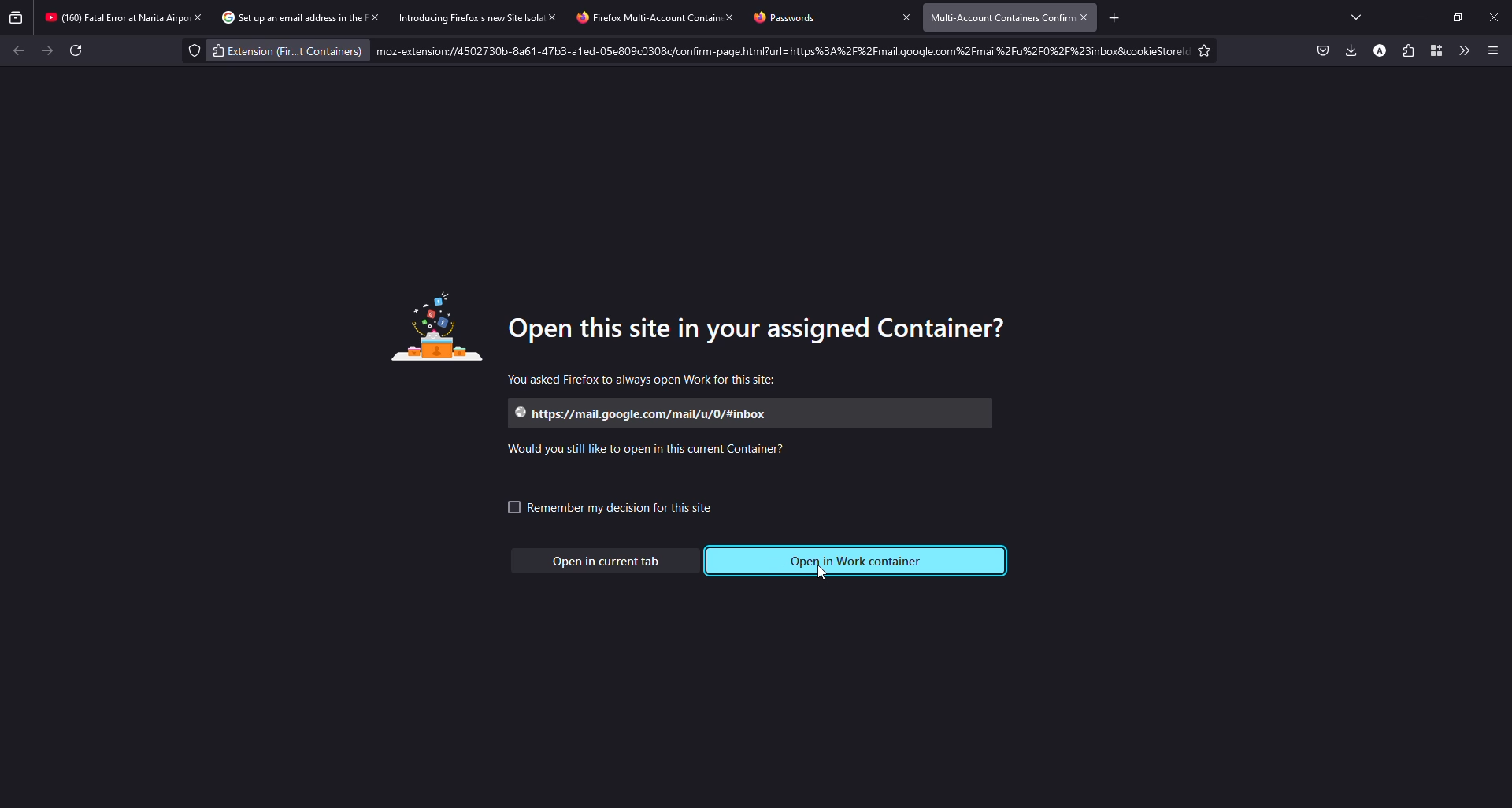 This screenshot has height=808, width=1512. What do you see at coordinates (78, 50) in the screenshot?
I see `refresh` at bounding box center [78, 50].